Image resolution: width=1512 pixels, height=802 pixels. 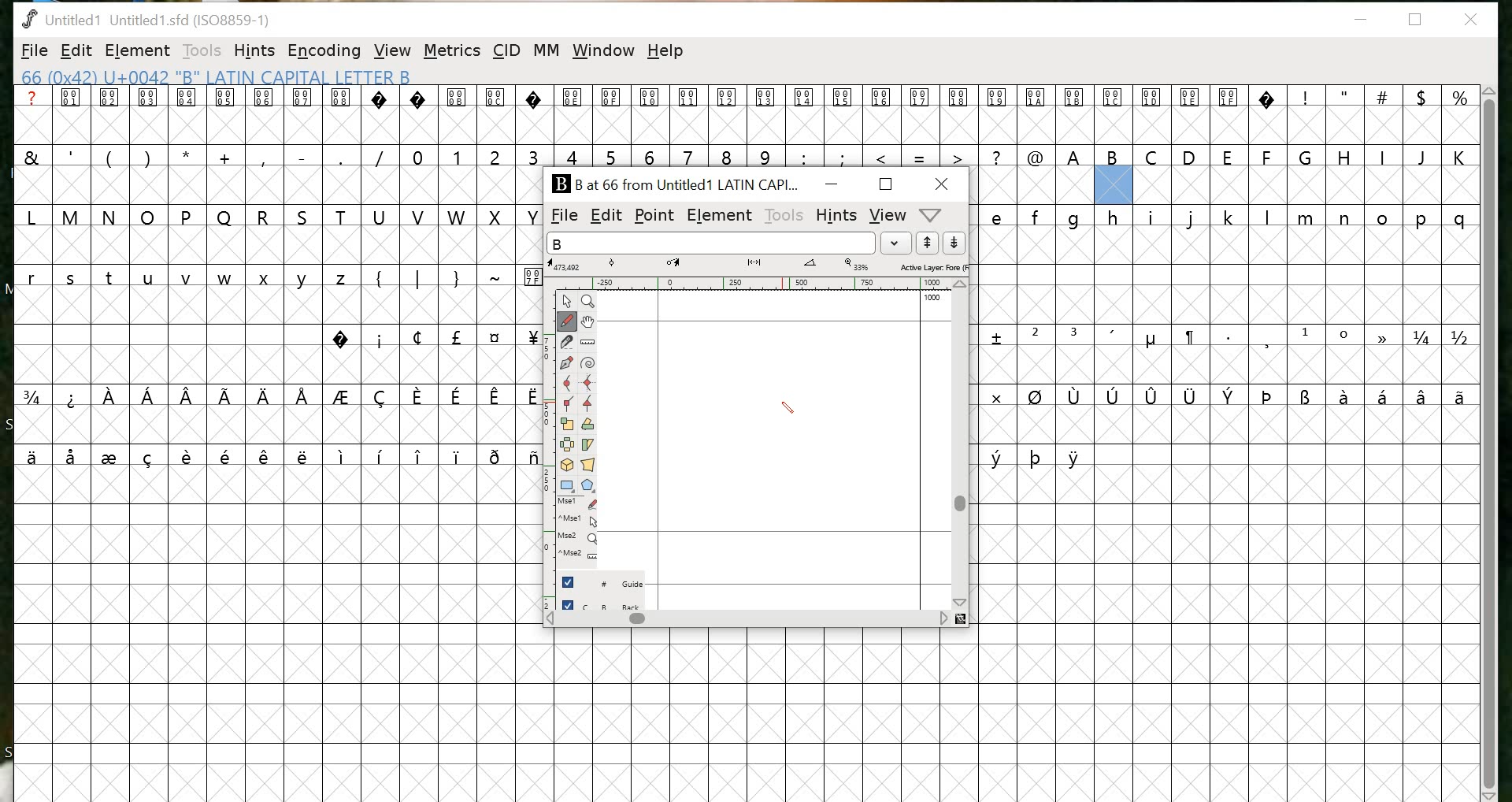 I want to click on TOOLS, so click(x=200, y=52).